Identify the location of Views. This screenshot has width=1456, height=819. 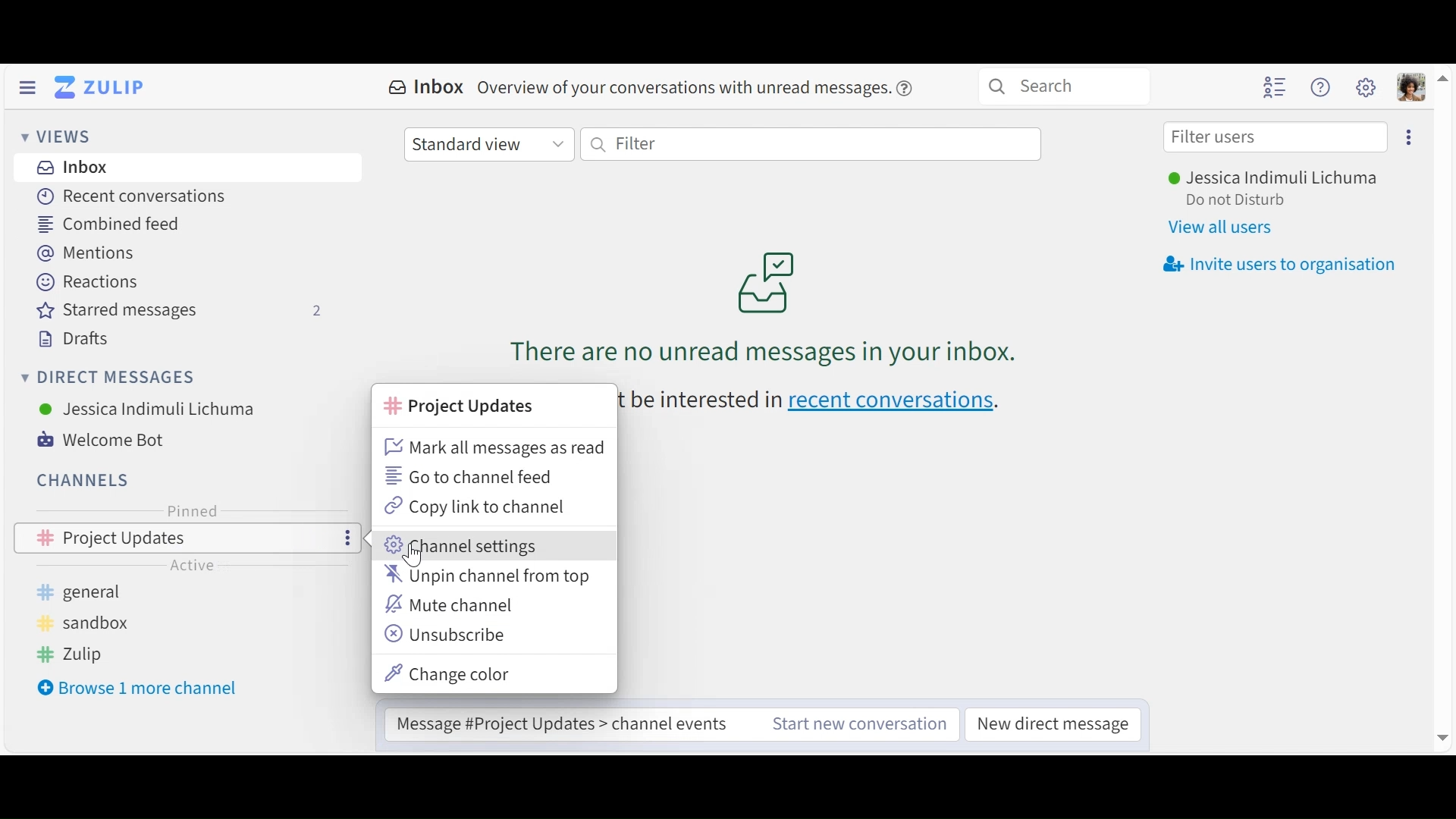
(58, 138).